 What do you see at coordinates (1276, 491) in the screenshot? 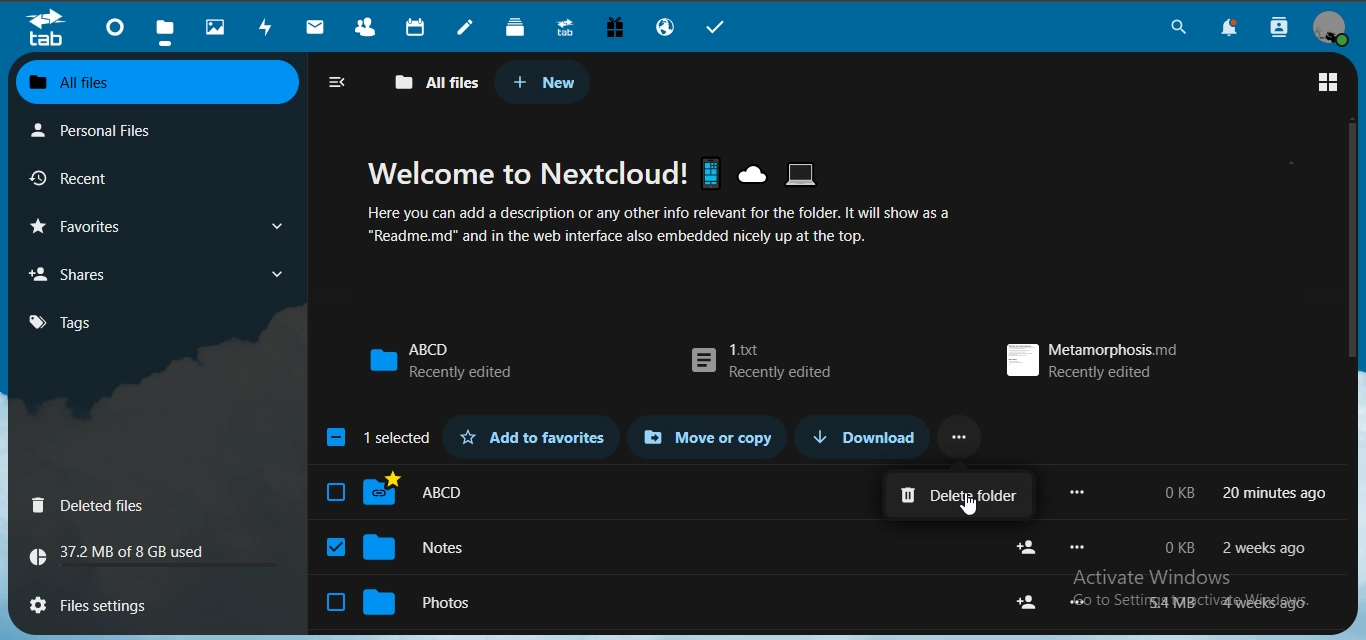
I see `20 min ago` at bounding box center [1276, 491].